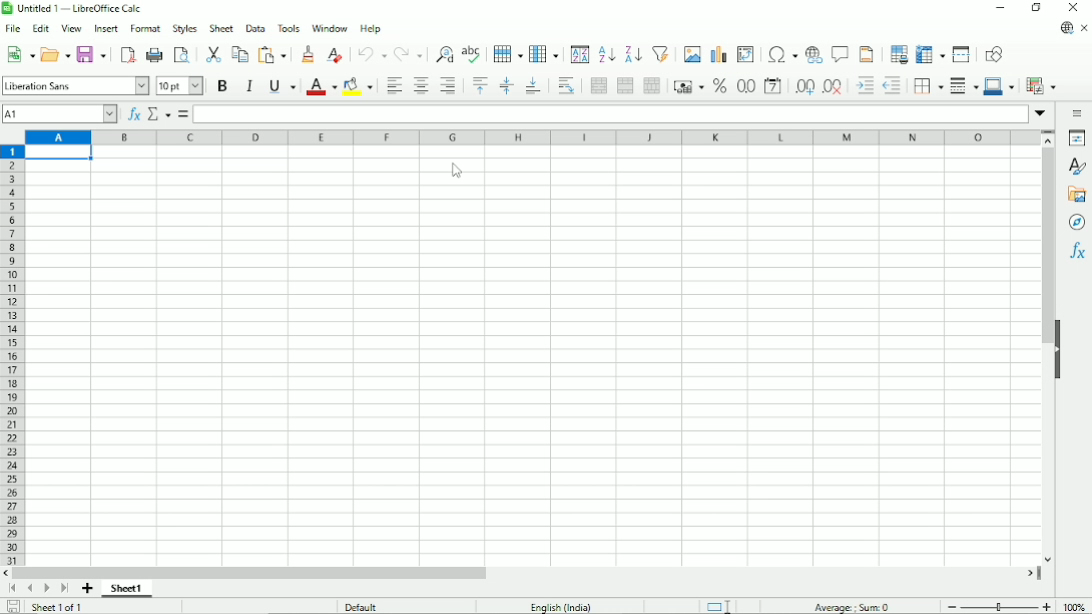 This screenshot has width=1092, height=614. What do you see at coordinates (999, 86) in the screenshot?
I see `Border color` at bounding box center [999, 86].